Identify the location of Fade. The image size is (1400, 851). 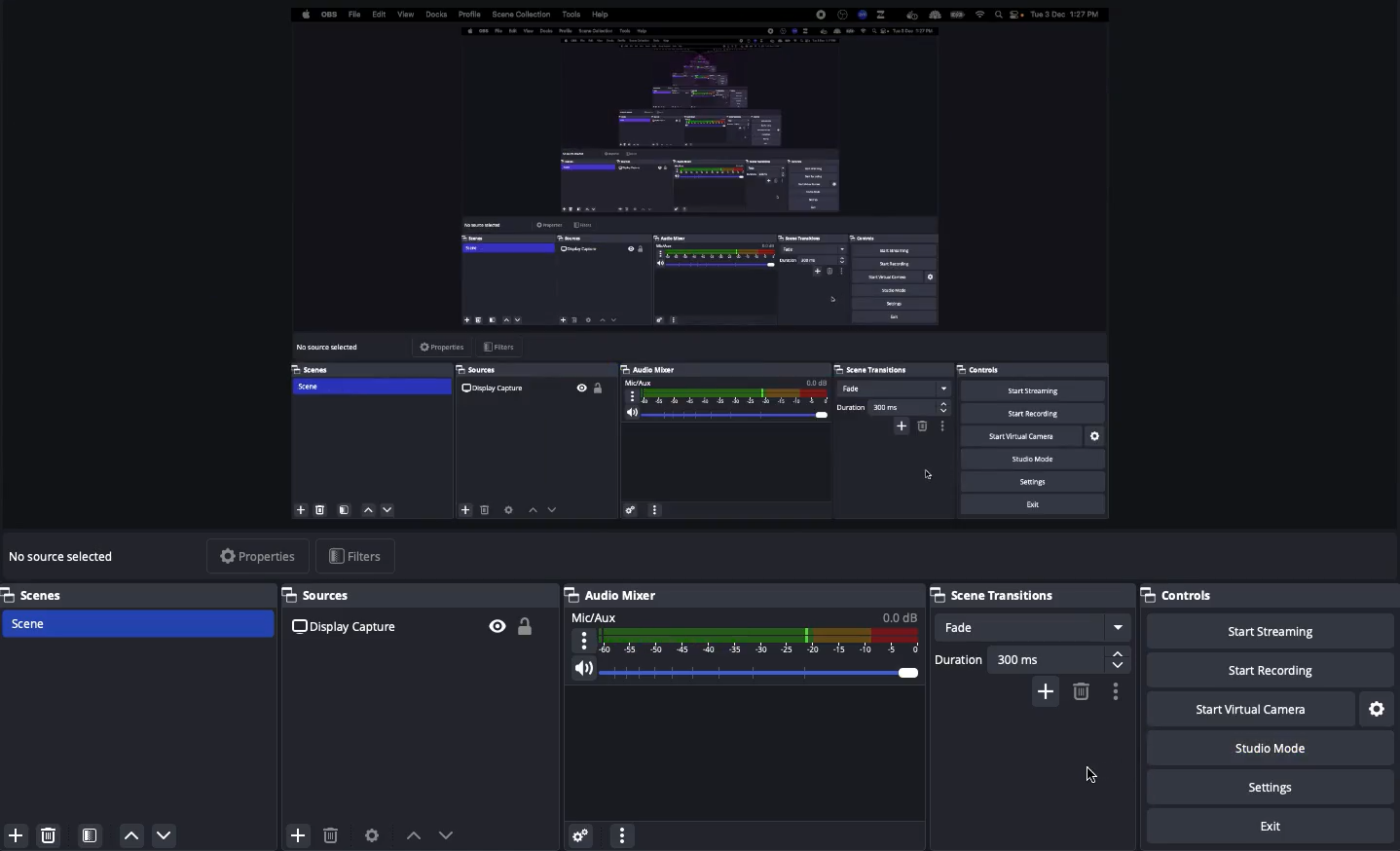
(1032, 626).